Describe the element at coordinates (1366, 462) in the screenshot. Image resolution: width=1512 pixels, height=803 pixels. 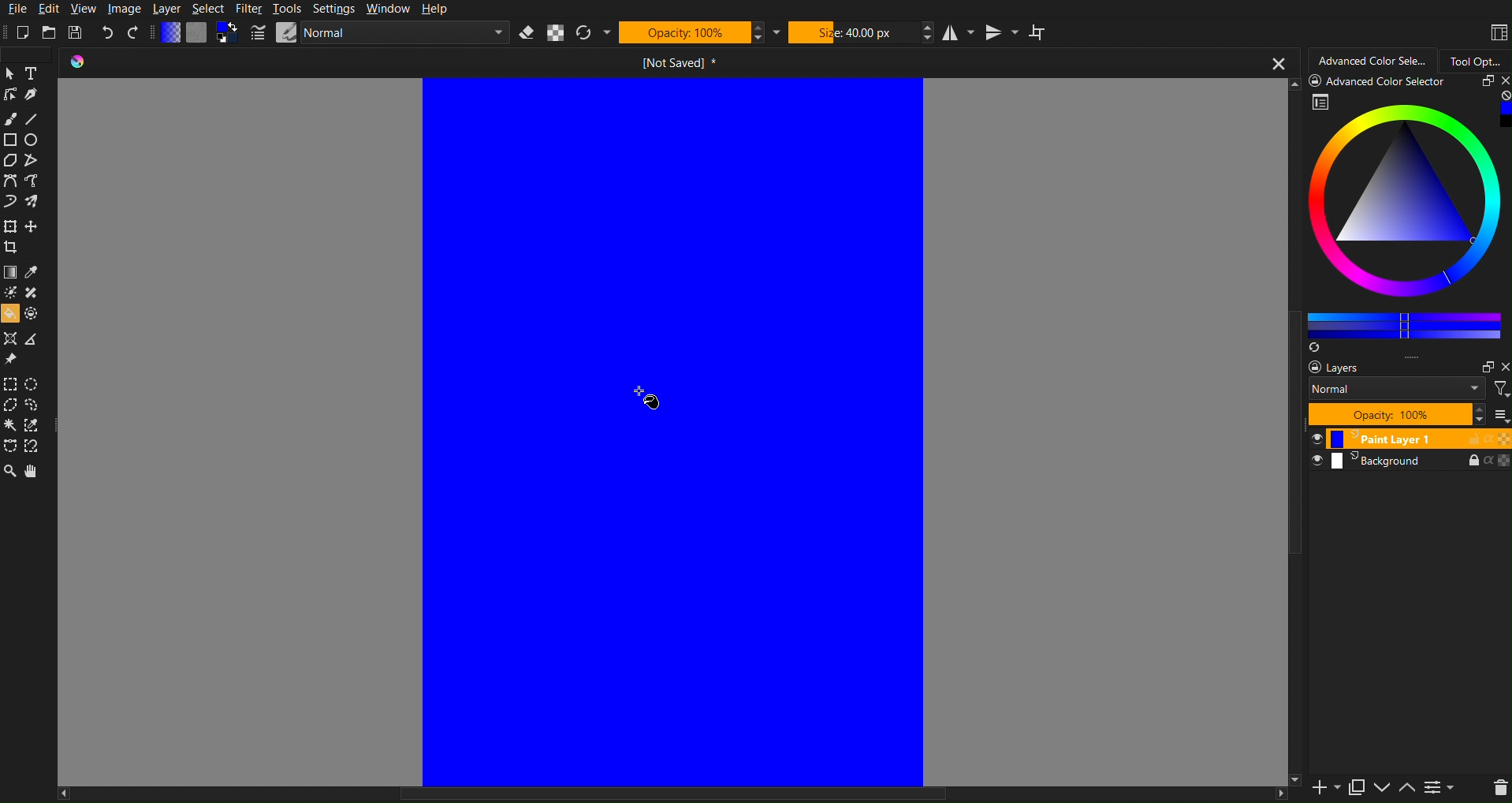
I see `background` at that location.